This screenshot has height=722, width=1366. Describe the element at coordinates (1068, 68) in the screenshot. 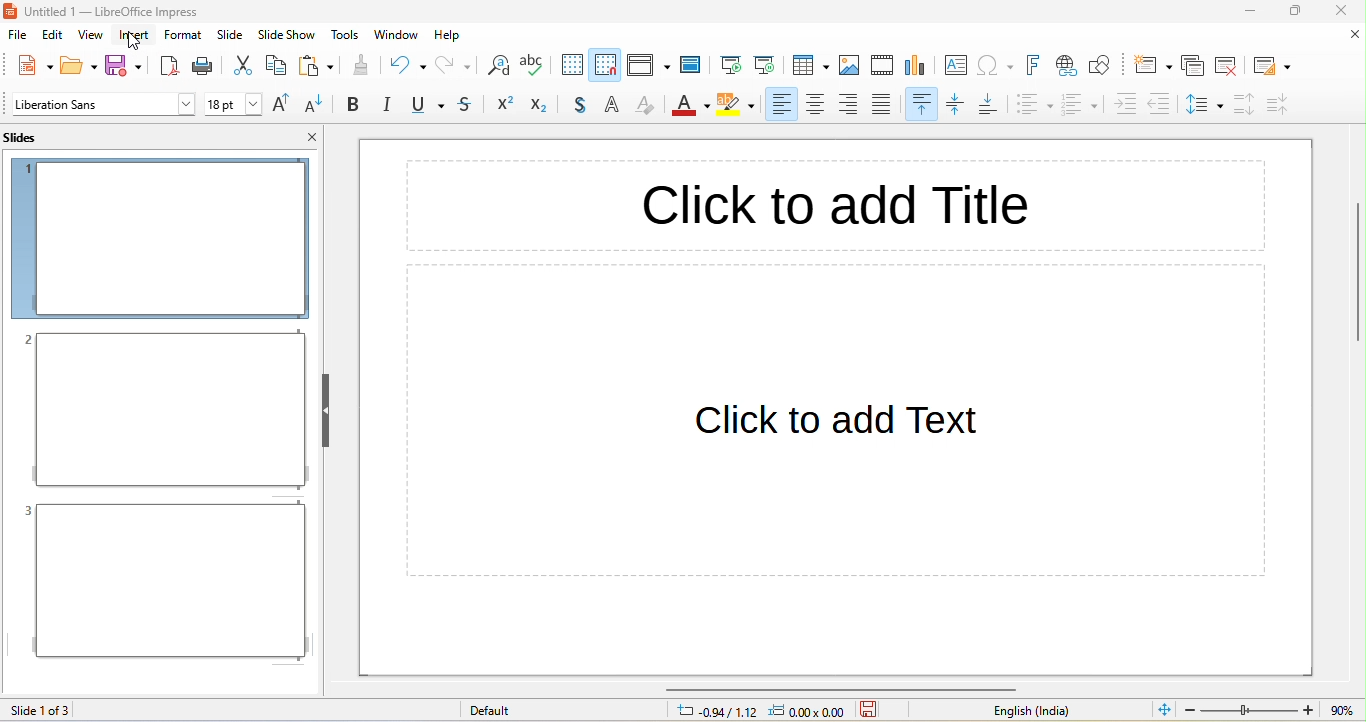

I see `hyperlink` at that location.